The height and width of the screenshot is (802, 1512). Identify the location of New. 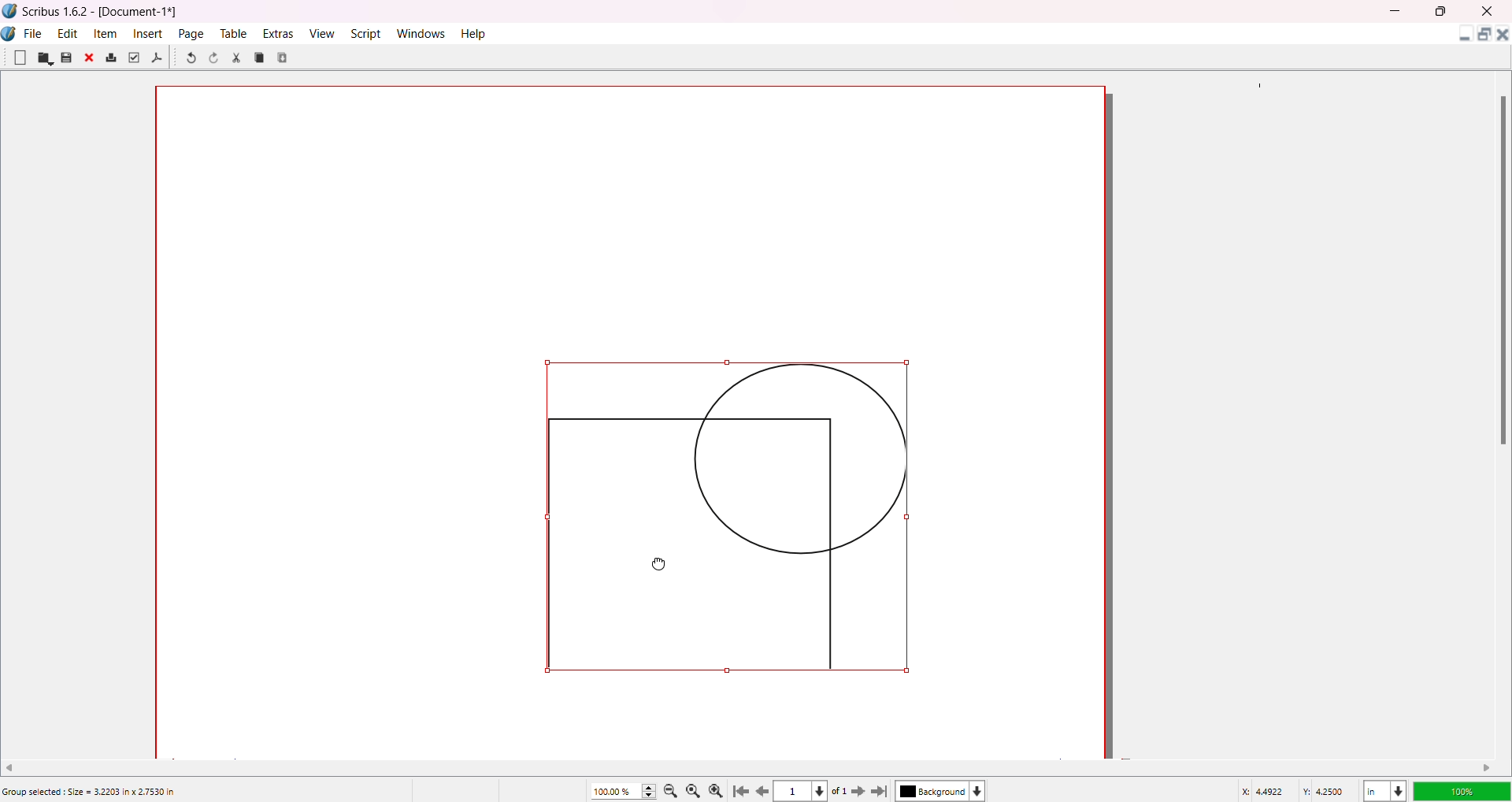
(20, 57).